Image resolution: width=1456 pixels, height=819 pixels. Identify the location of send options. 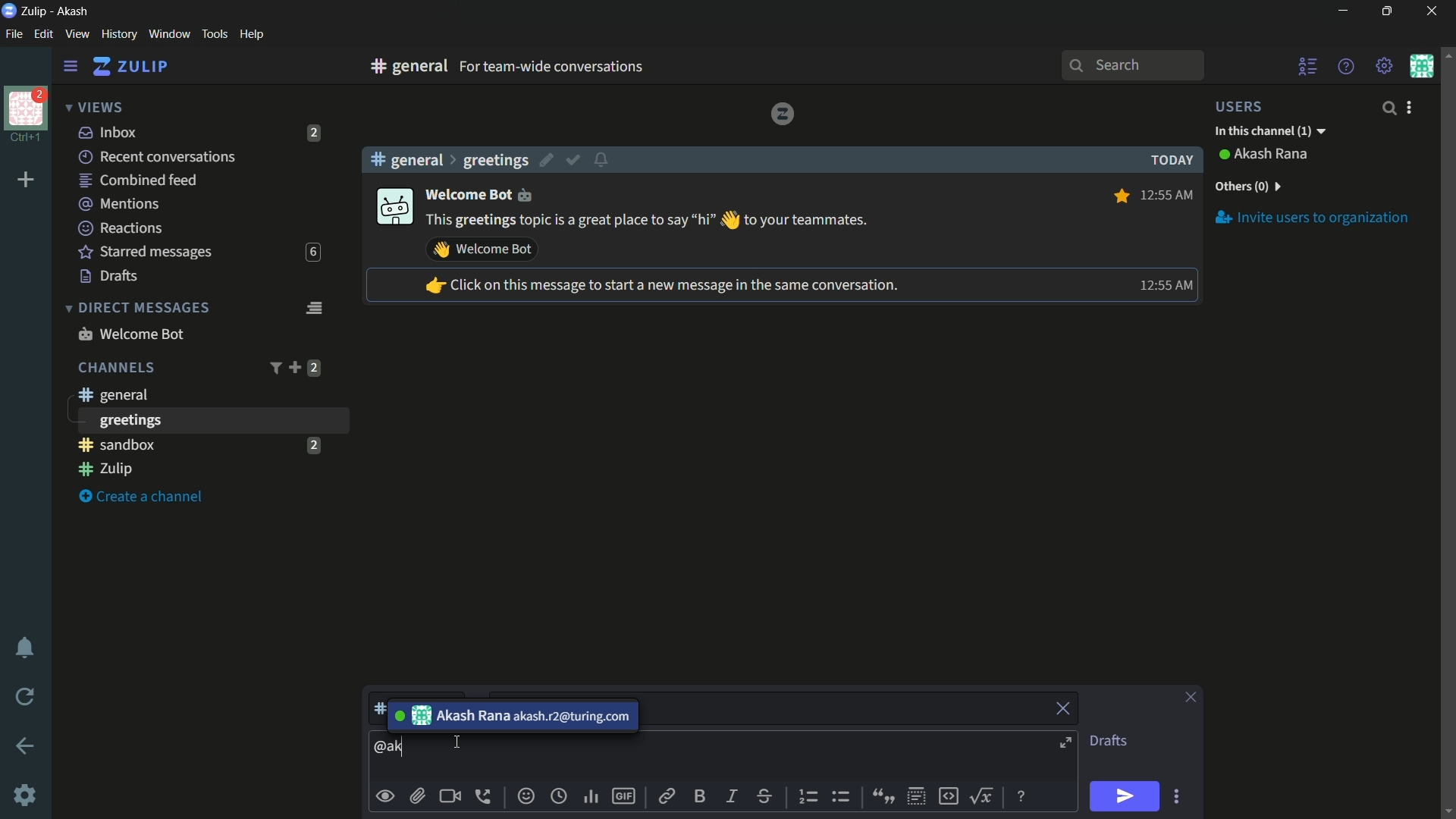
(1176, 797).